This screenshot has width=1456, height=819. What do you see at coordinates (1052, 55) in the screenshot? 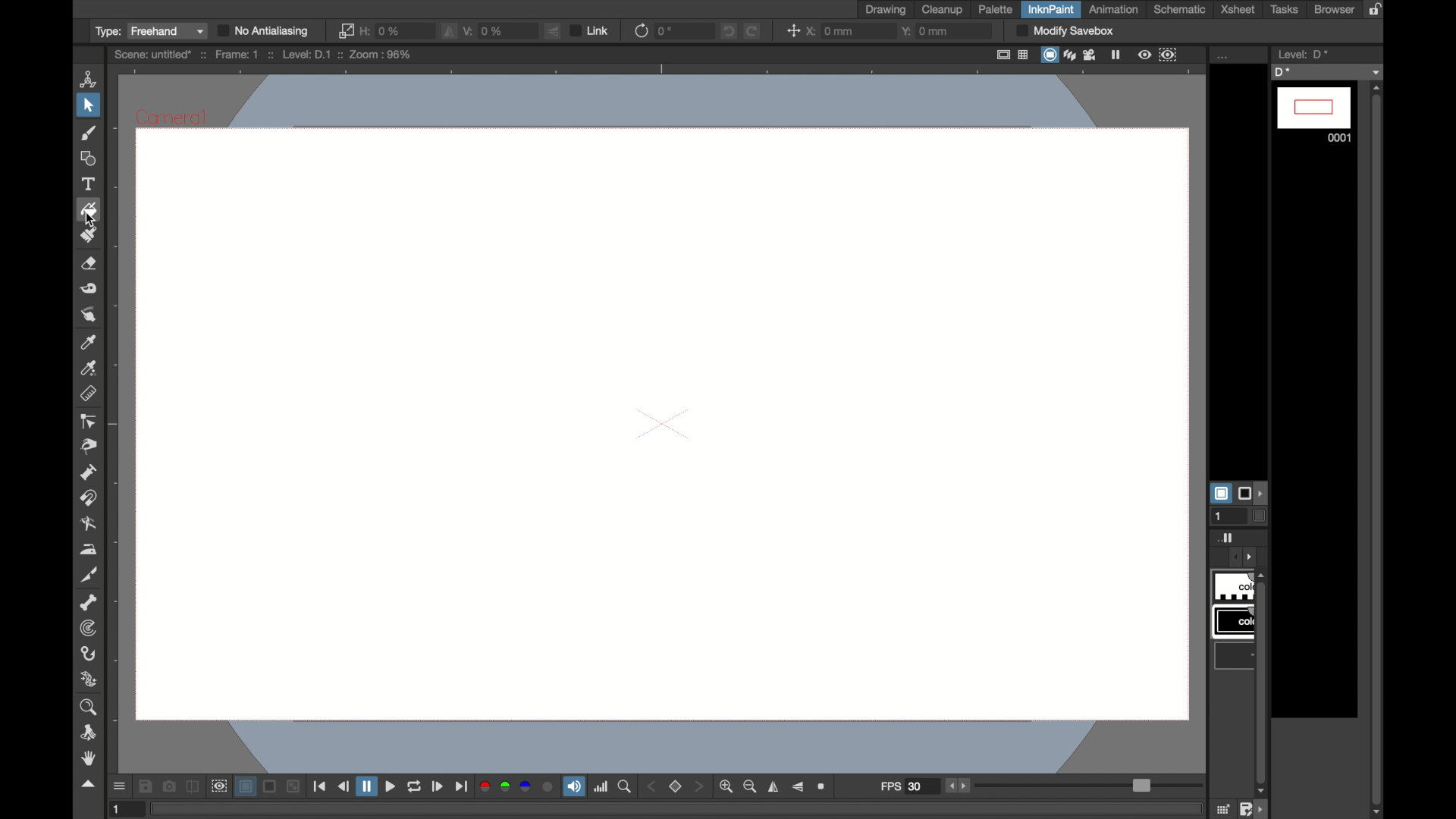
I see `screen` at bounding box center [1052, 55].